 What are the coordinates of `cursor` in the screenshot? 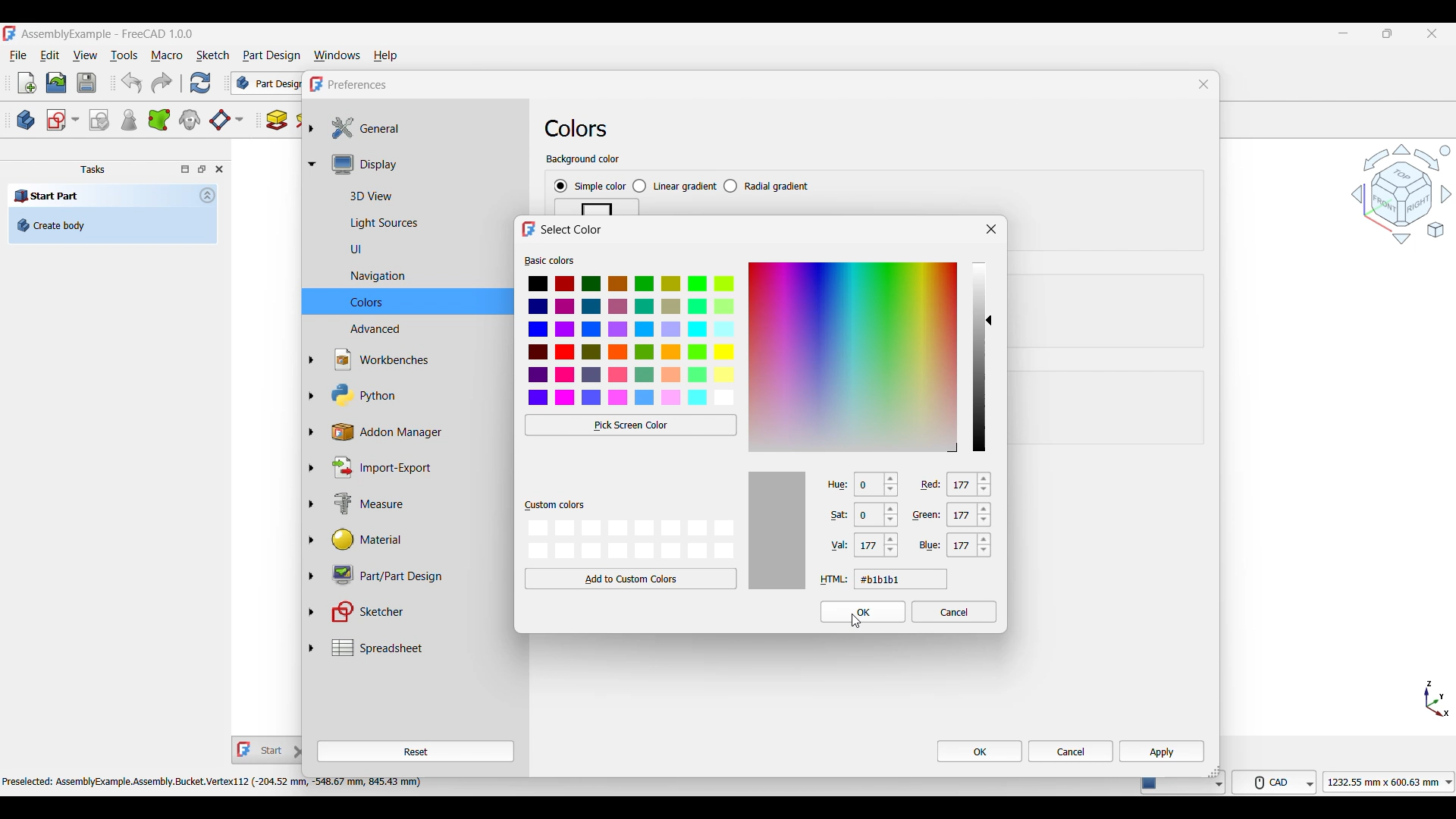 It's located at (858, 624).